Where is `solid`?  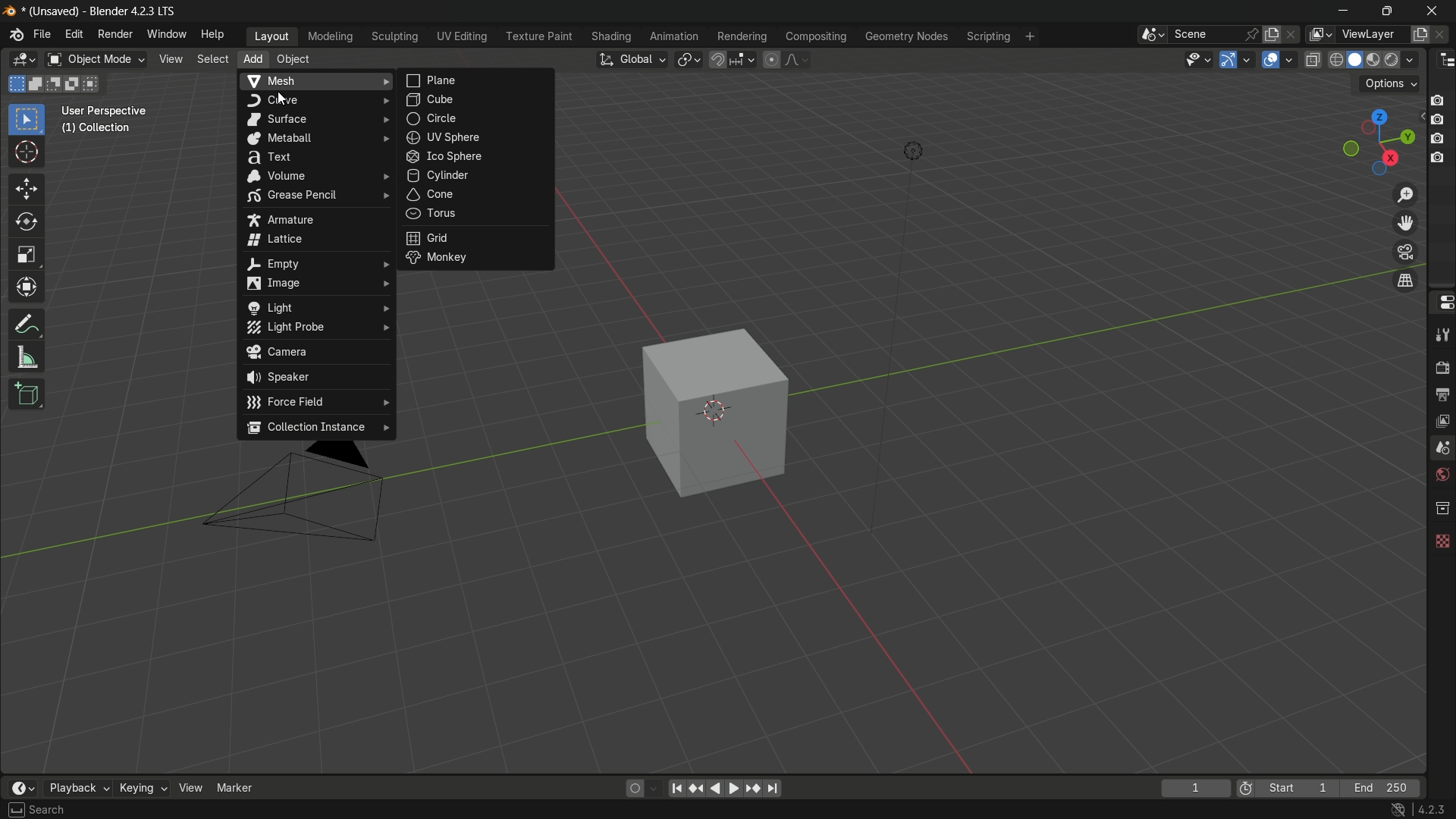
solid is located at coordinates (1356, 61).